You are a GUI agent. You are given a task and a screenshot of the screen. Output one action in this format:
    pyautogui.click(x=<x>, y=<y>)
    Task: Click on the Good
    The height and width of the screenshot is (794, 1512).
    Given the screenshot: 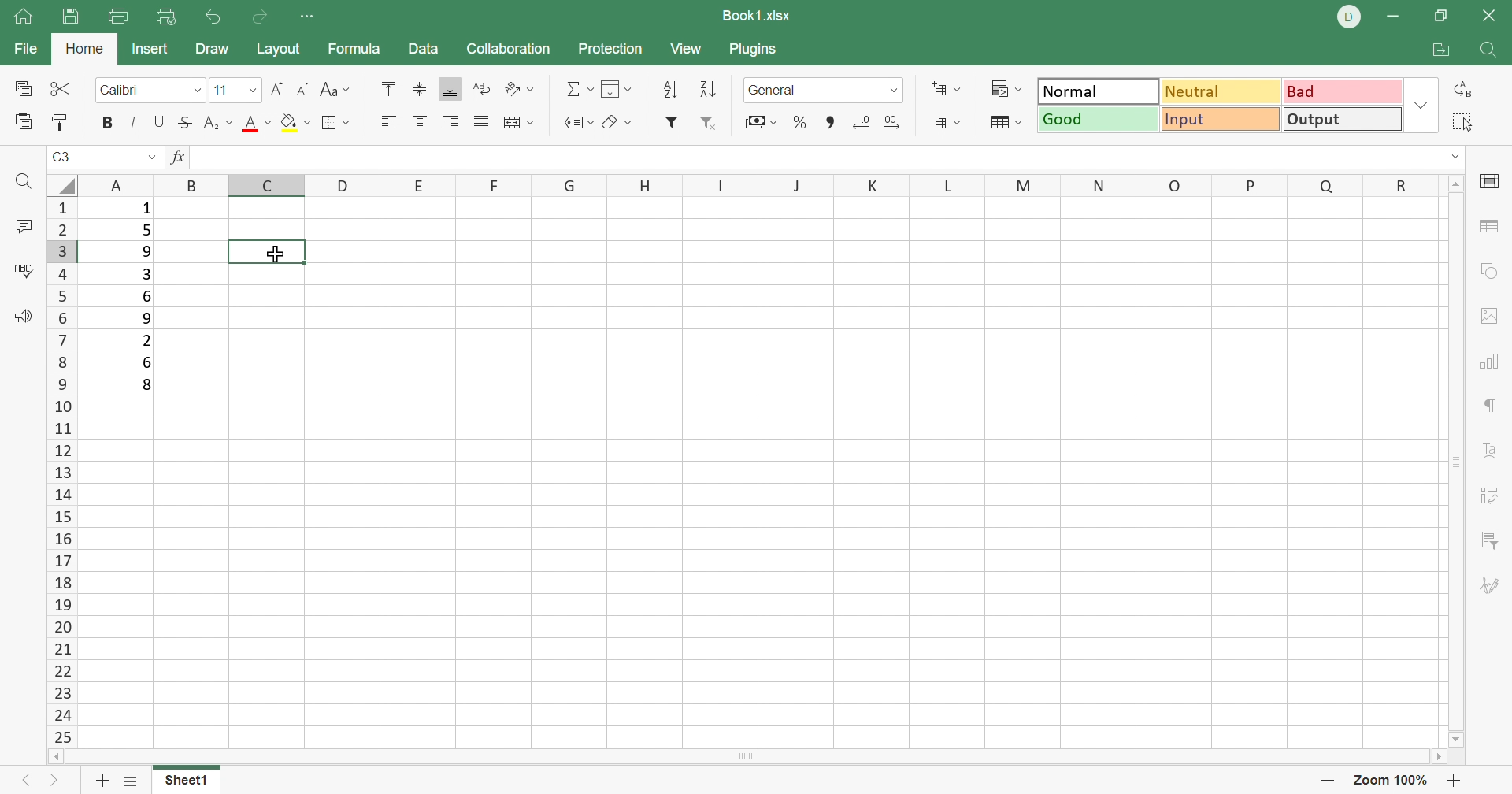 What is the action you would take?
    pyautogui.click(x=1097, y=119)
    